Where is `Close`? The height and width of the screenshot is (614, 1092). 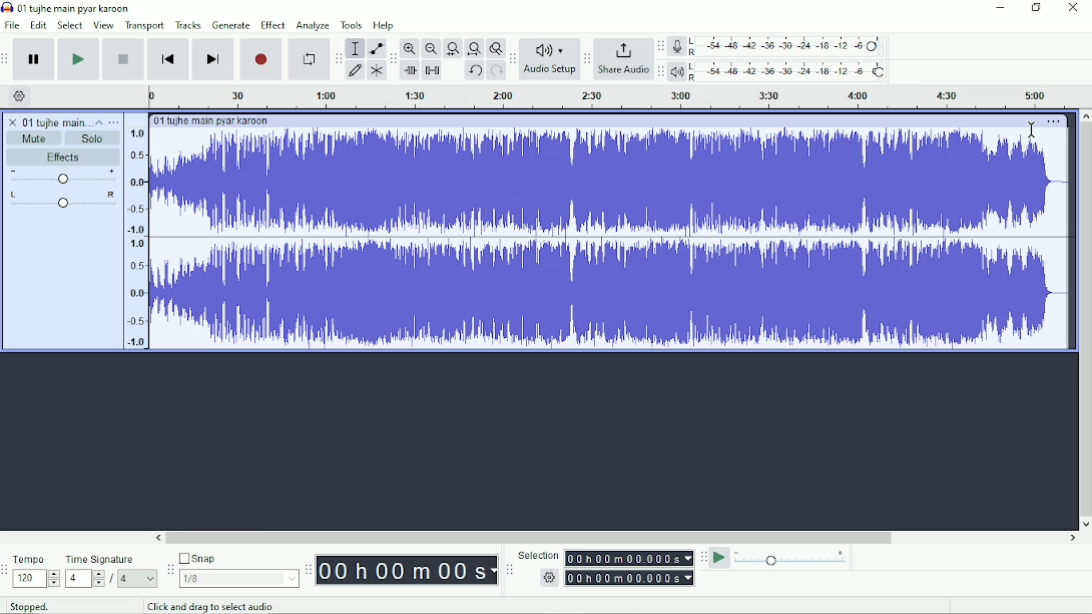
Close is located at coordinates (1074, 7).